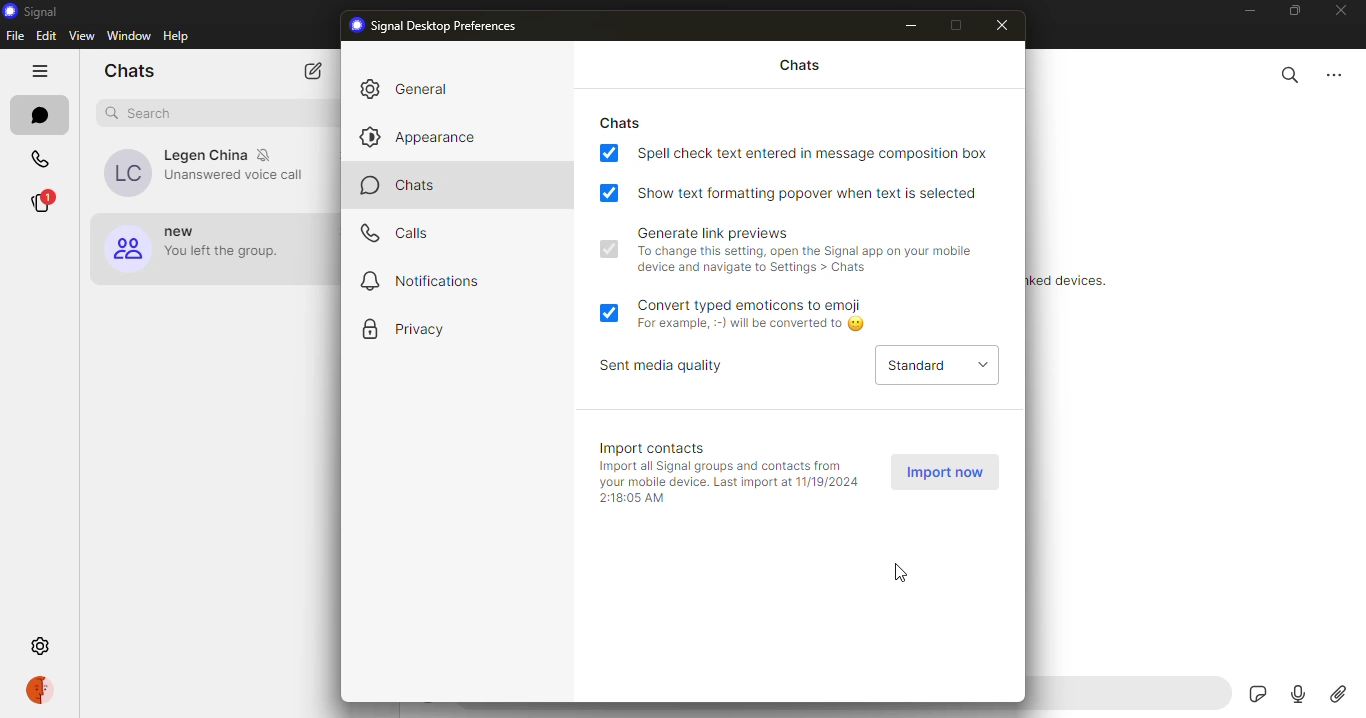  Describe the element at coordinates (40, 645) in the screenshot. I see `settings` at that location.